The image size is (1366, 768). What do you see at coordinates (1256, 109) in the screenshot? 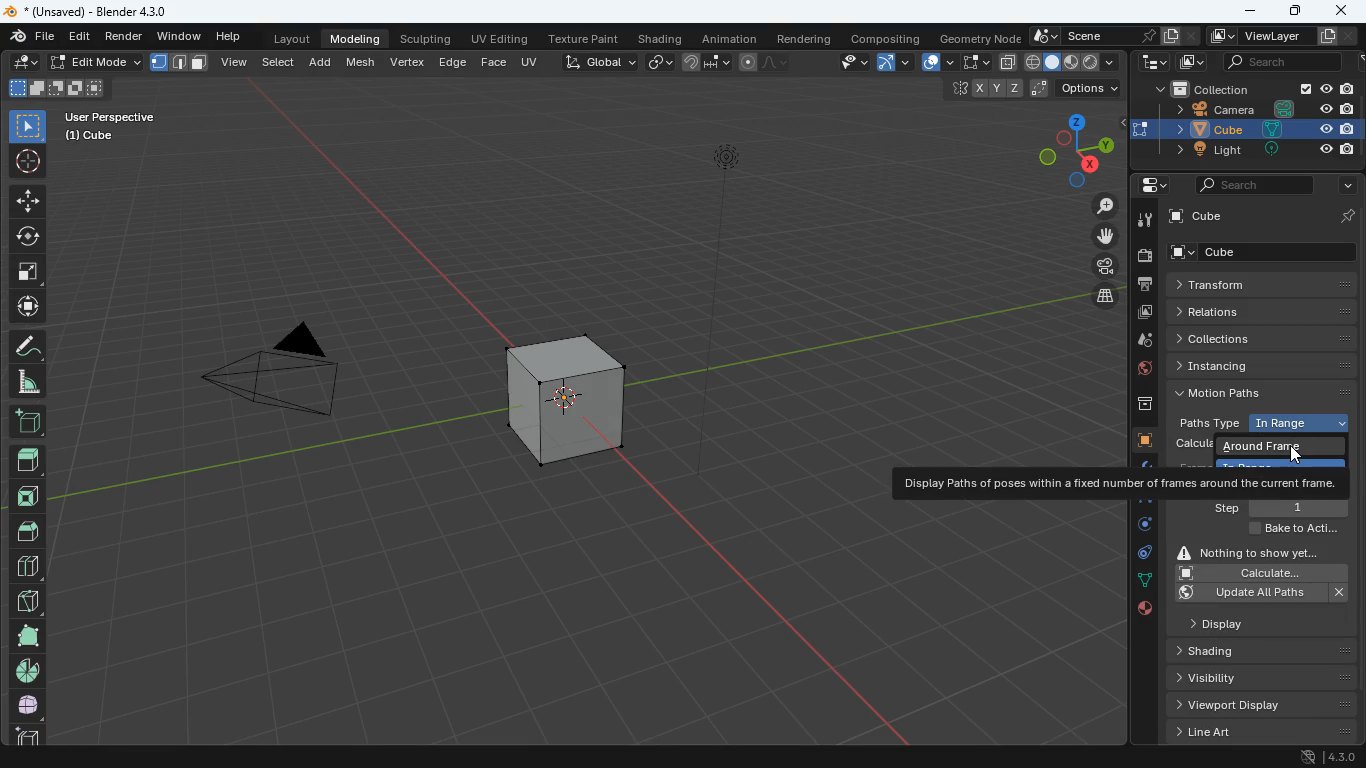
I see `camera` at bounding box center [1256, 109].